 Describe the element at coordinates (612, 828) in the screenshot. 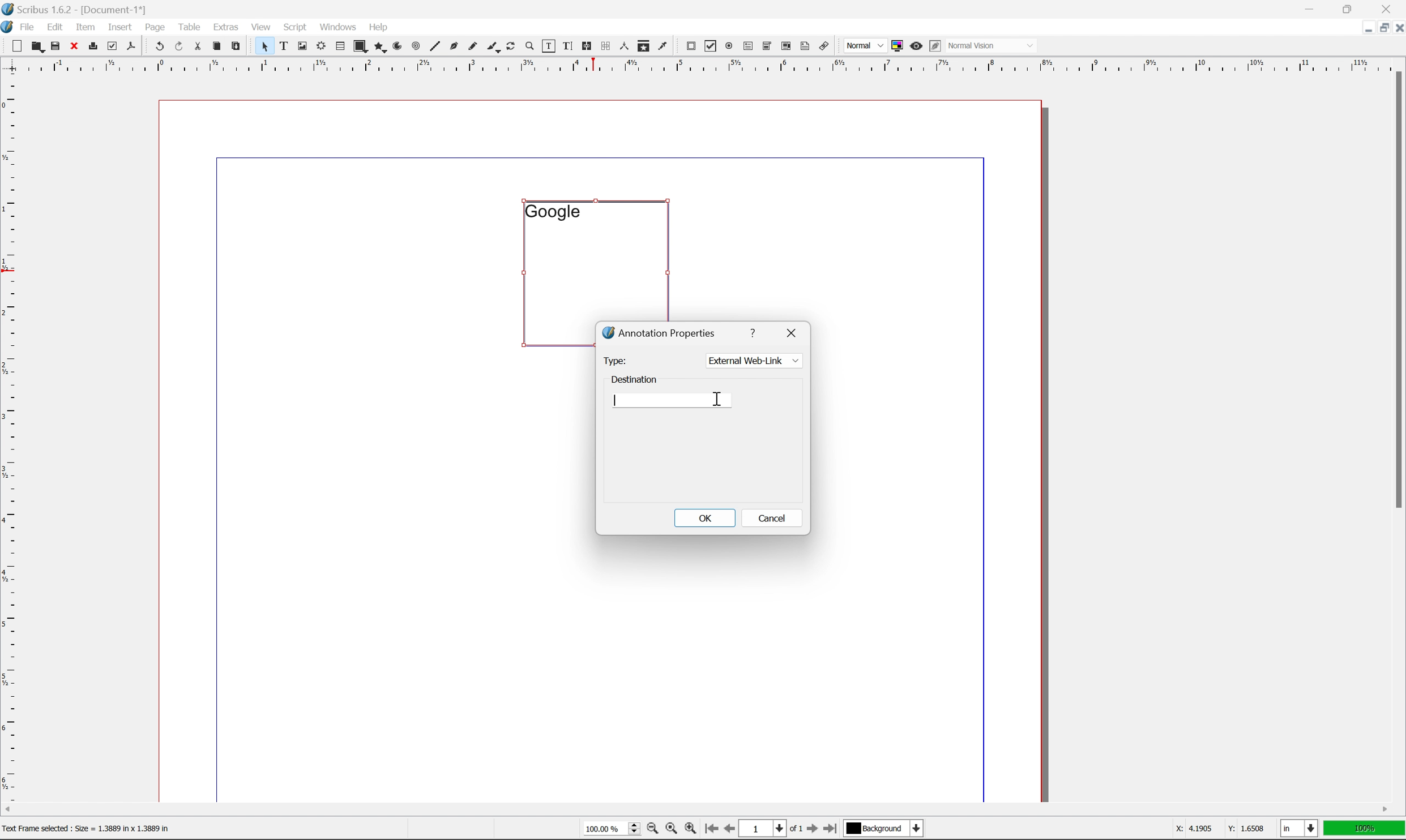

I see `select current zoom level` at that location.